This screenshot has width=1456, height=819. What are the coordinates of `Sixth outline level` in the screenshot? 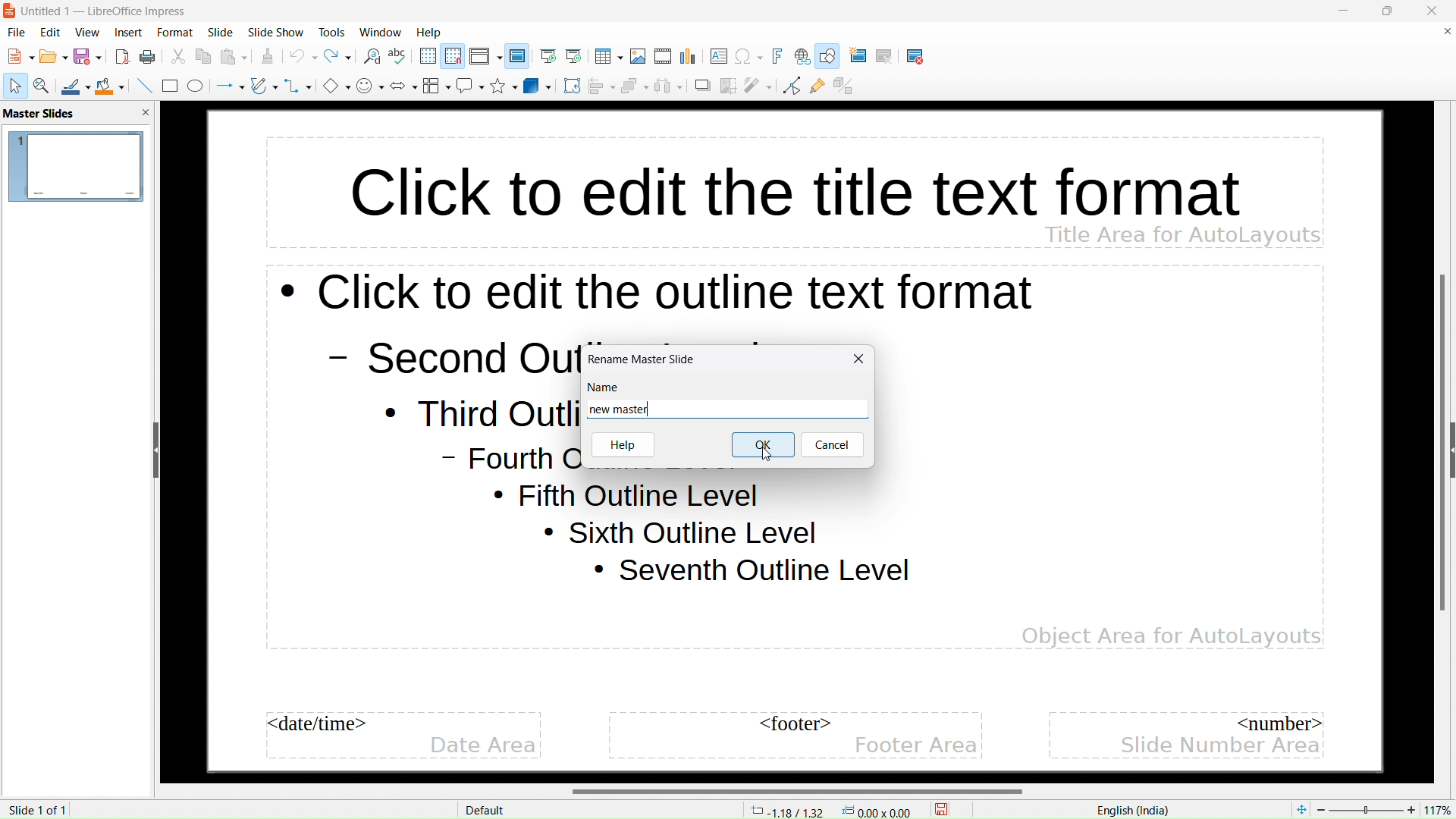 It's located at (680, 533).